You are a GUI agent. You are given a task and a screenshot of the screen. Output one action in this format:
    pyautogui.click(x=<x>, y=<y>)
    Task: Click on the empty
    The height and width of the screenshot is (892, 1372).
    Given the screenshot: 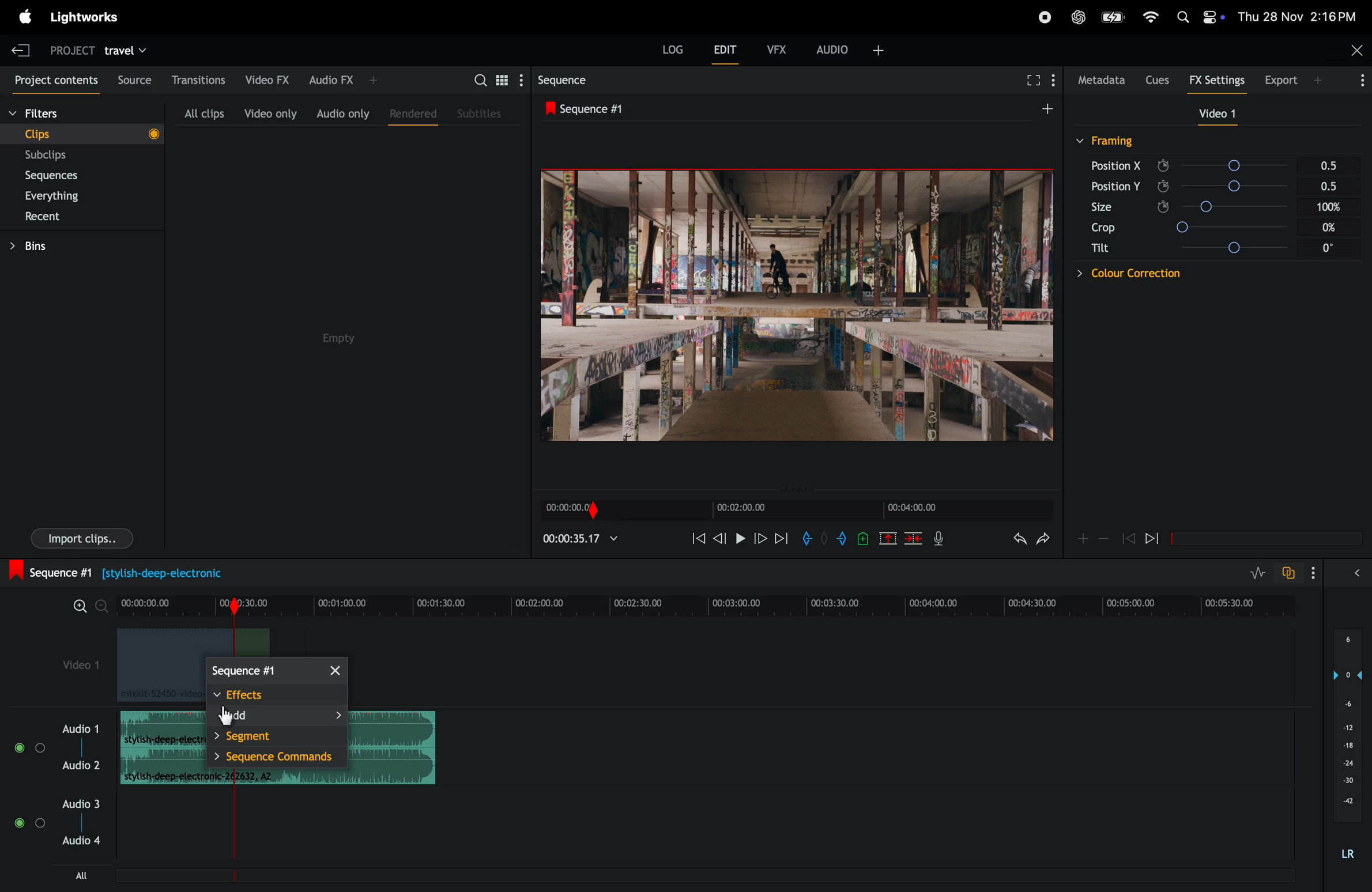 What is the action you would take?
    pyautogui.click(x=342, y=338)
    